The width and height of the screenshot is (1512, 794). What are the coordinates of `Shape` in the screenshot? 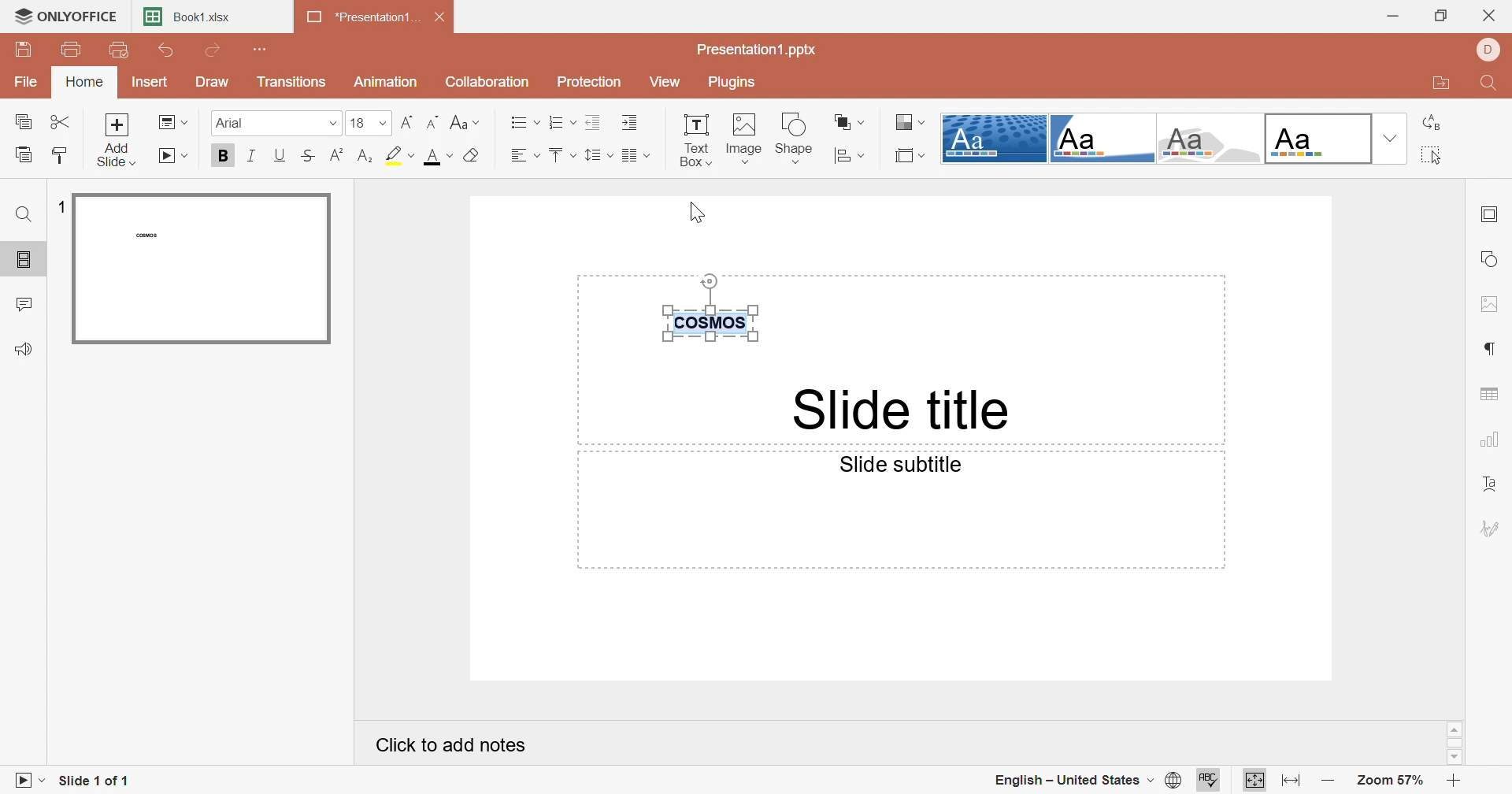 It's located at (795, 139).